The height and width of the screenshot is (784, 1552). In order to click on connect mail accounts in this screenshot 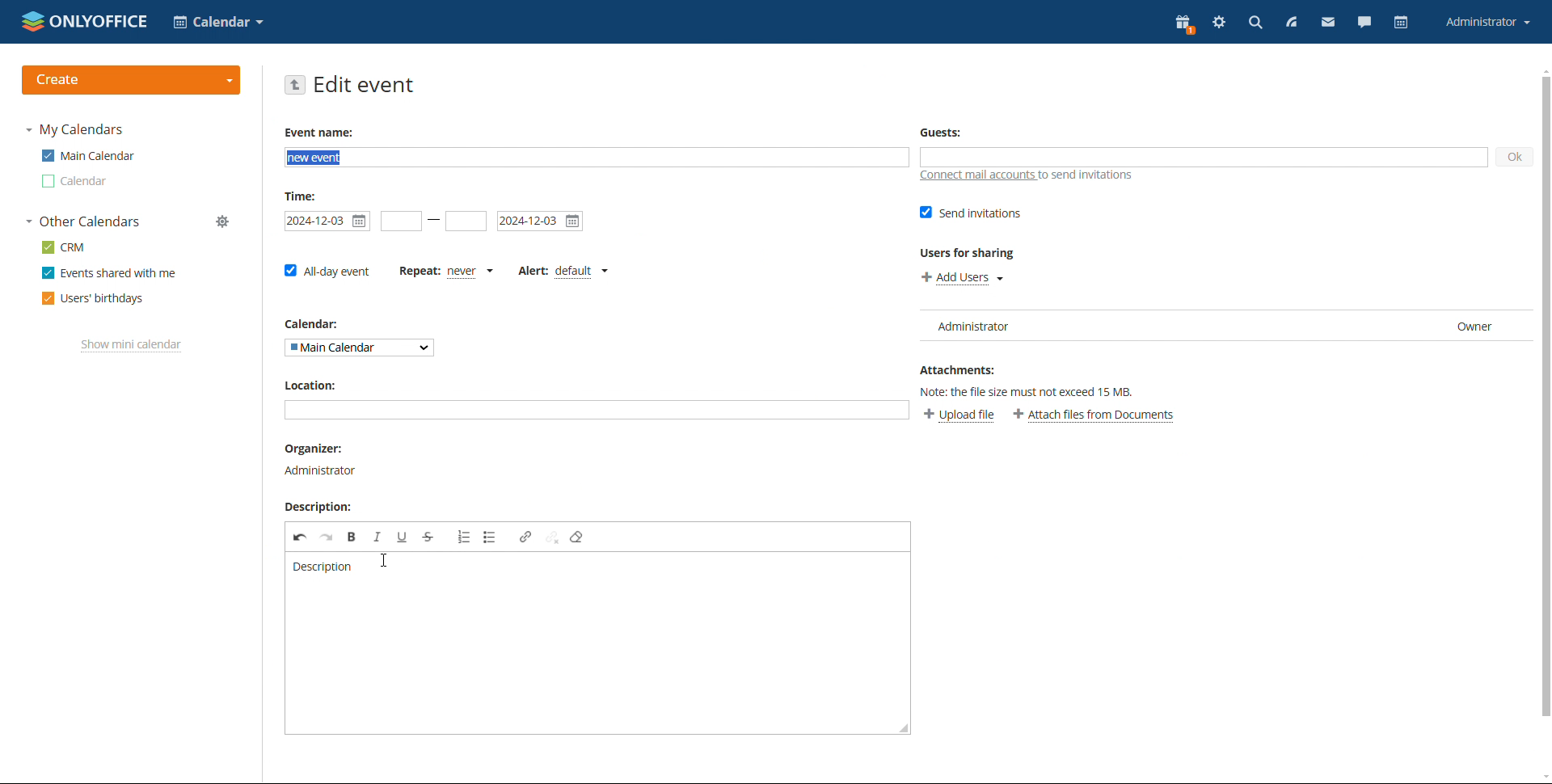, I will do `click(1027, 177)`.